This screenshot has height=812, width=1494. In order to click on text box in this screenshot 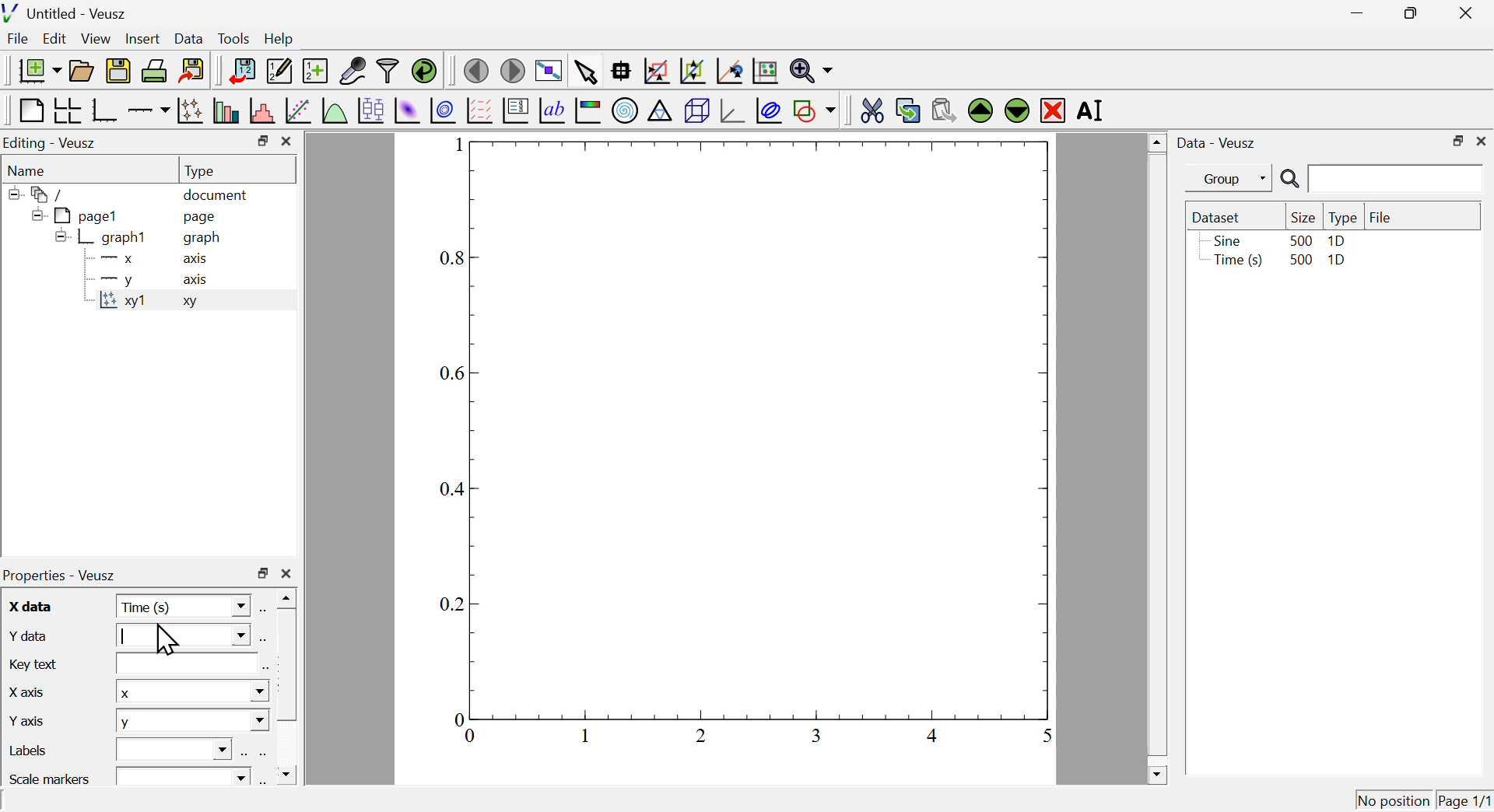, I will do `click(184, 664)`.